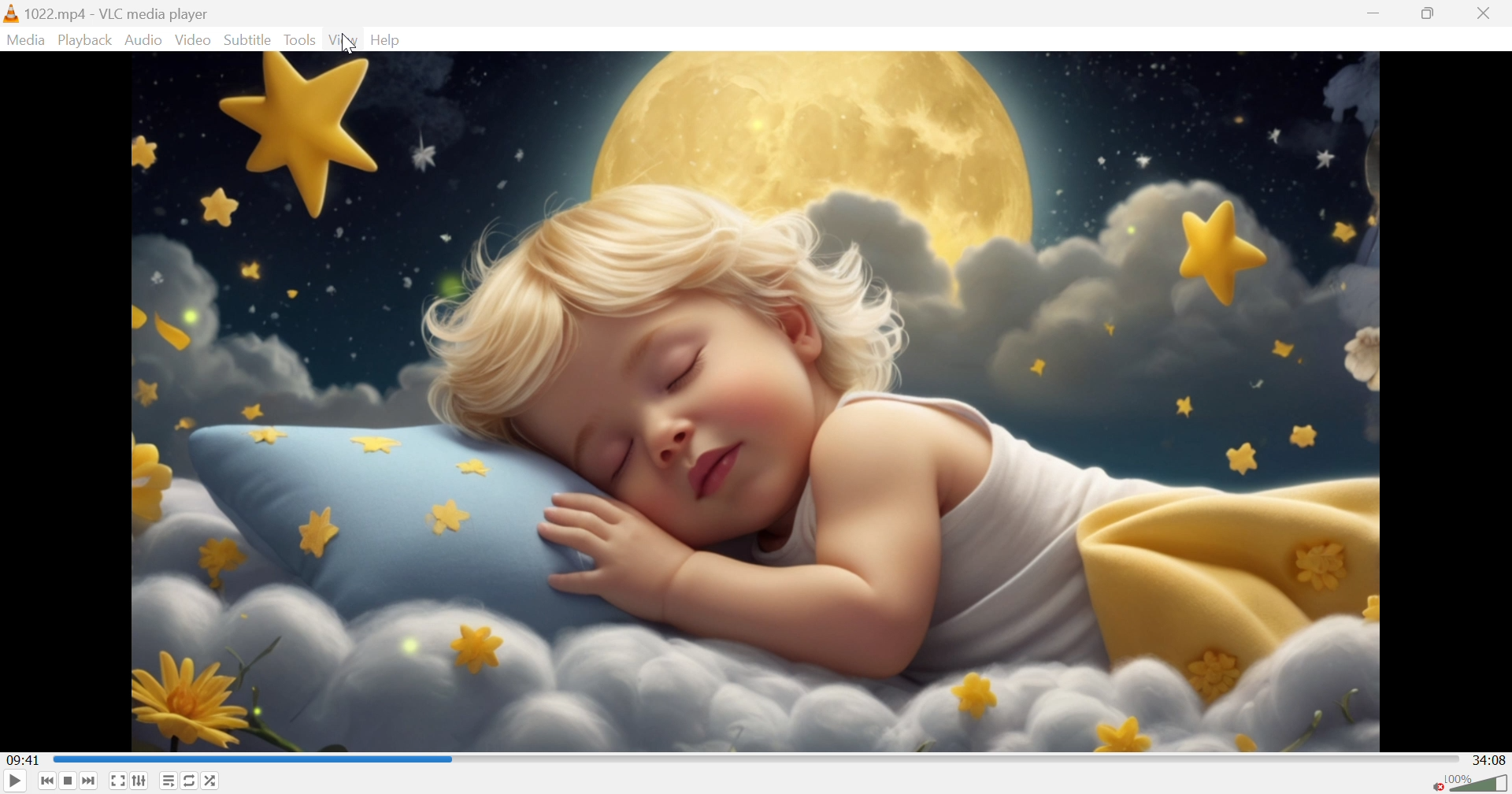  What do you see at coordinates (390, 39) in the screenshot?
I see `Help` at bounding box center [390, 39].